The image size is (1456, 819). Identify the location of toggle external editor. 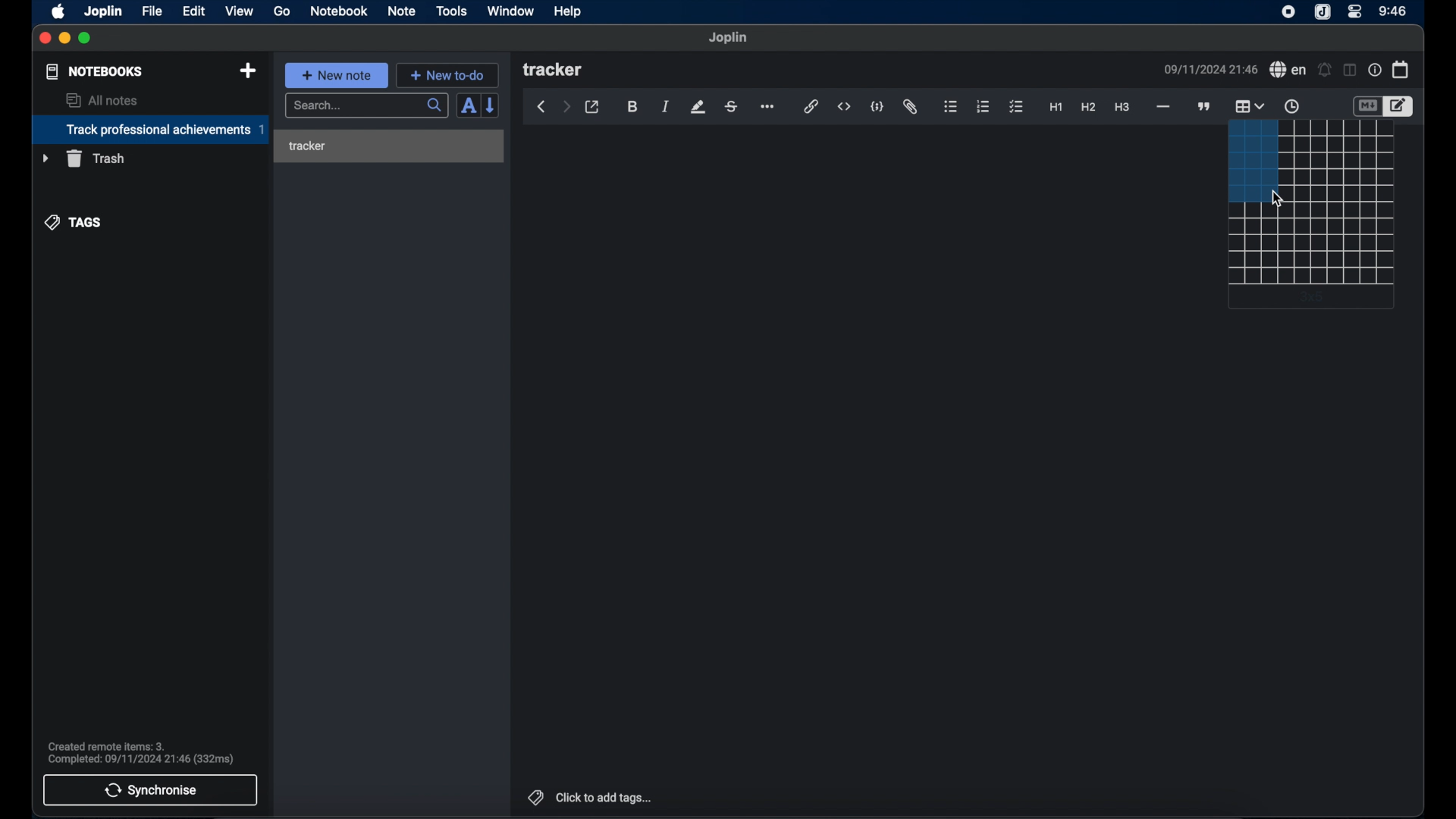
(592, 107).